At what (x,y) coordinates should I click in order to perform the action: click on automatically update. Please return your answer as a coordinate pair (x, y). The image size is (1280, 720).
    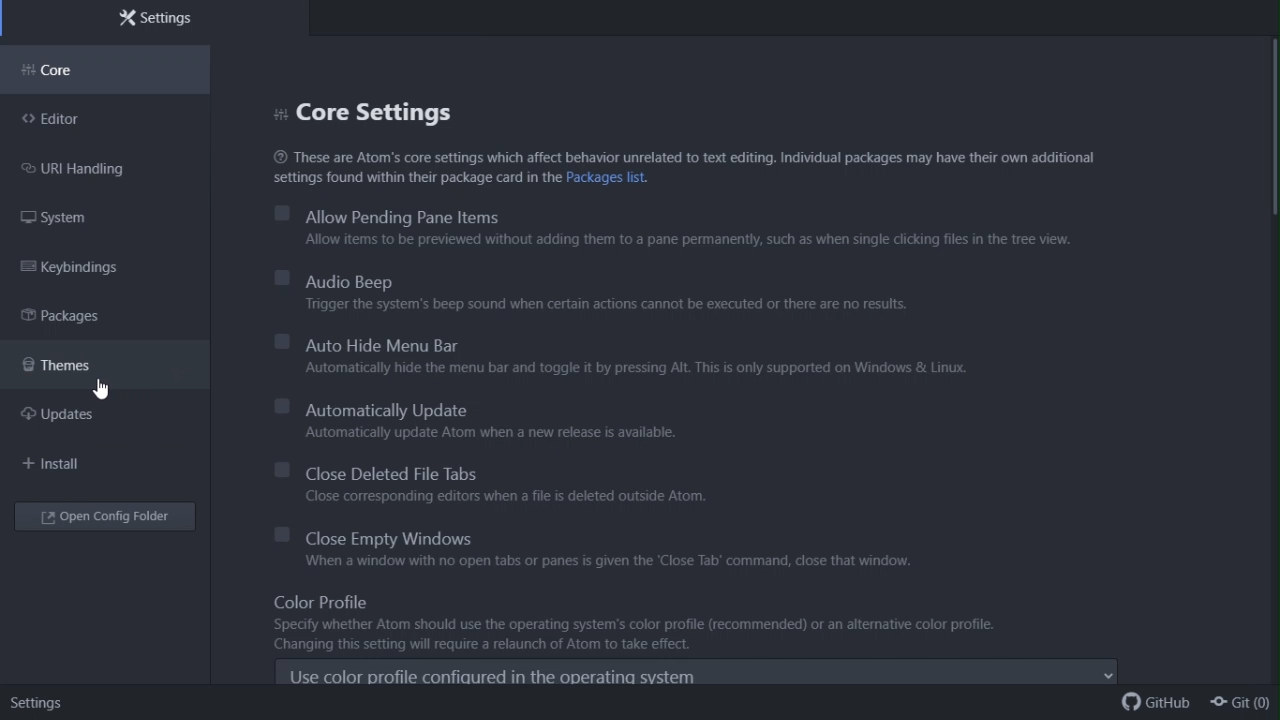
    Looking at the image, I should click on (471, 419).